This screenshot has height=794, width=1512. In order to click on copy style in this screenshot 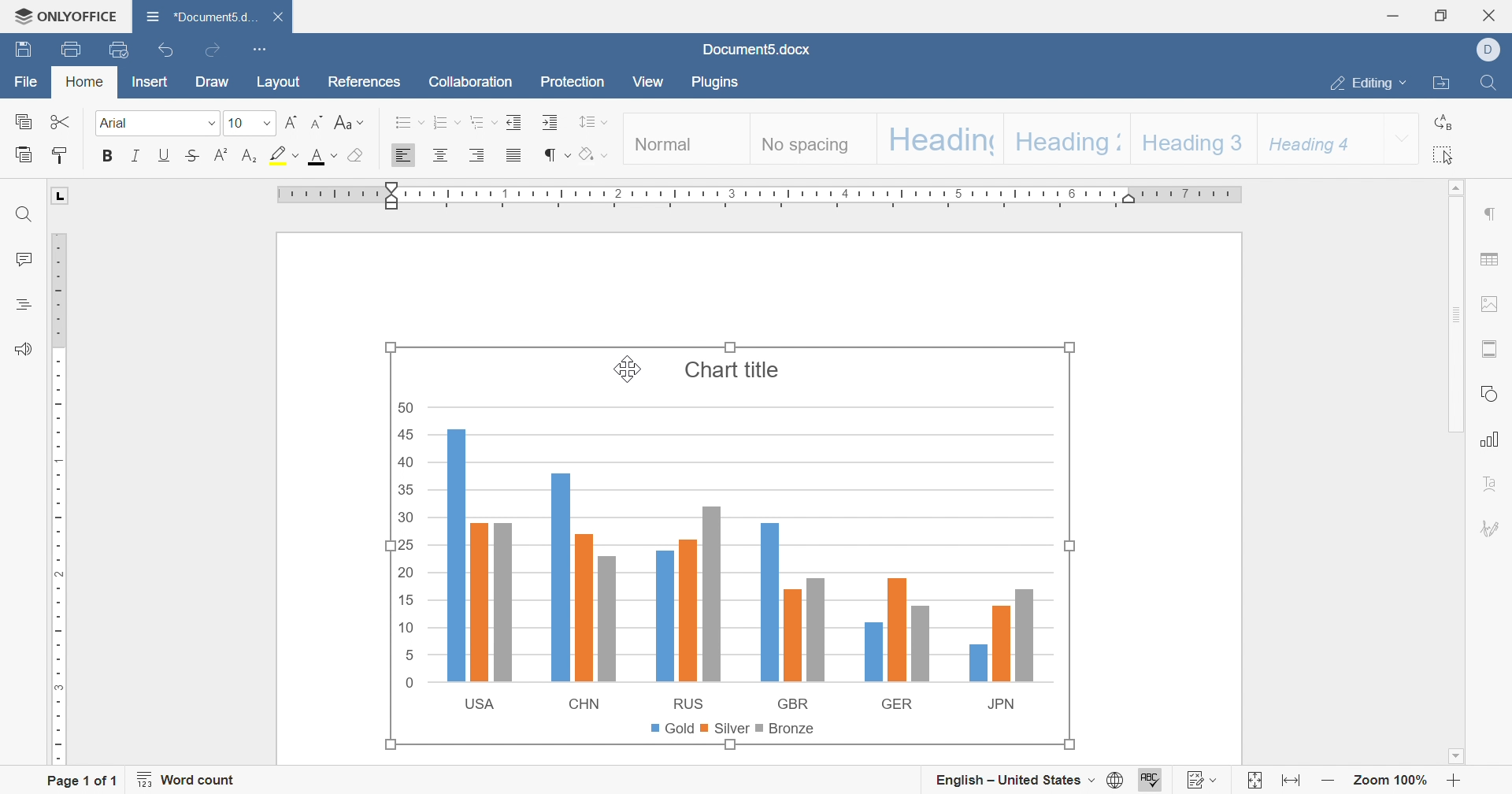, I will do `click(61, 155)`.